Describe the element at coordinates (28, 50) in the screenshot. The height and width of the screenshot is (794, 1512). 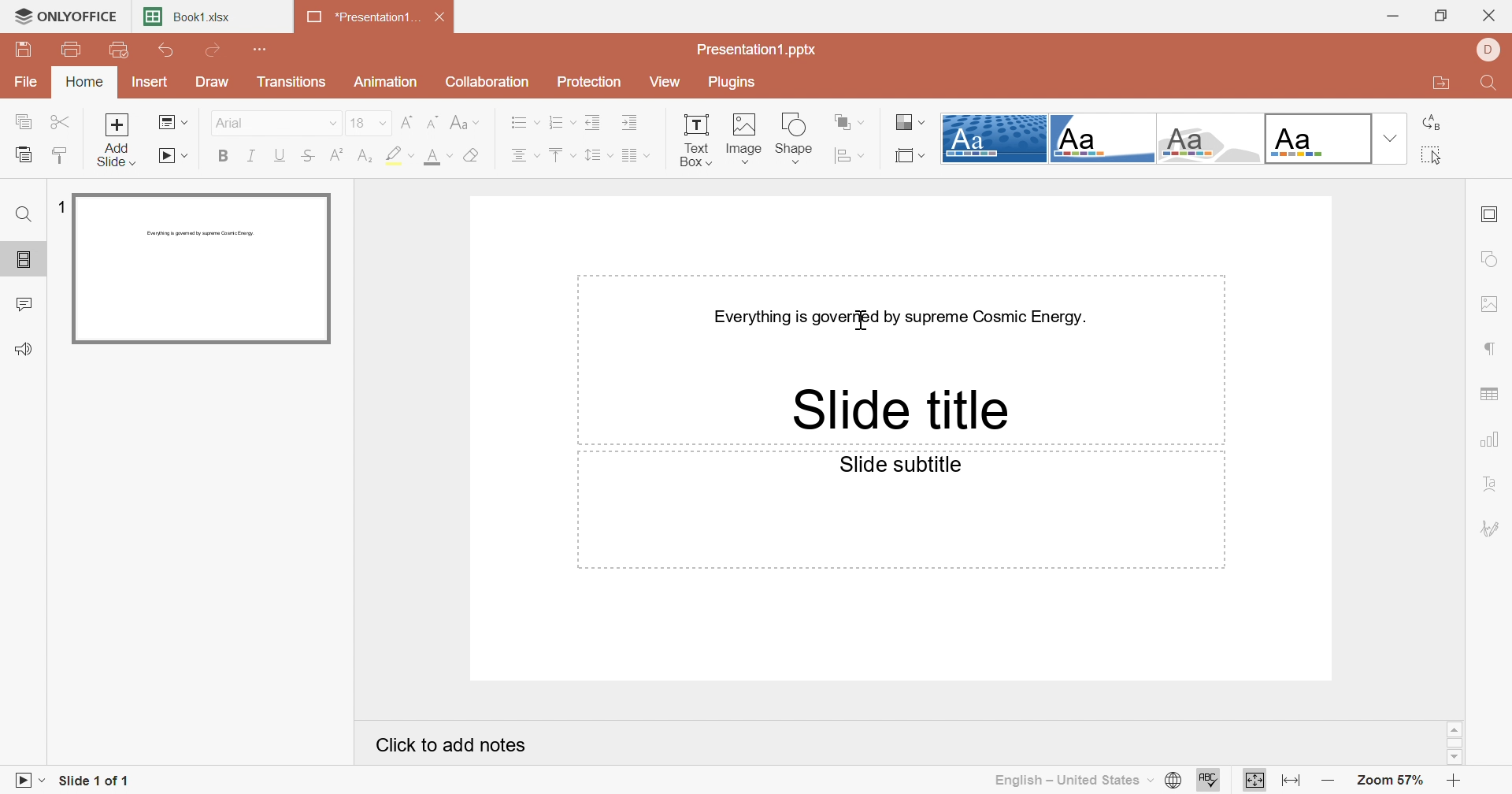
I see `Save` at that location.